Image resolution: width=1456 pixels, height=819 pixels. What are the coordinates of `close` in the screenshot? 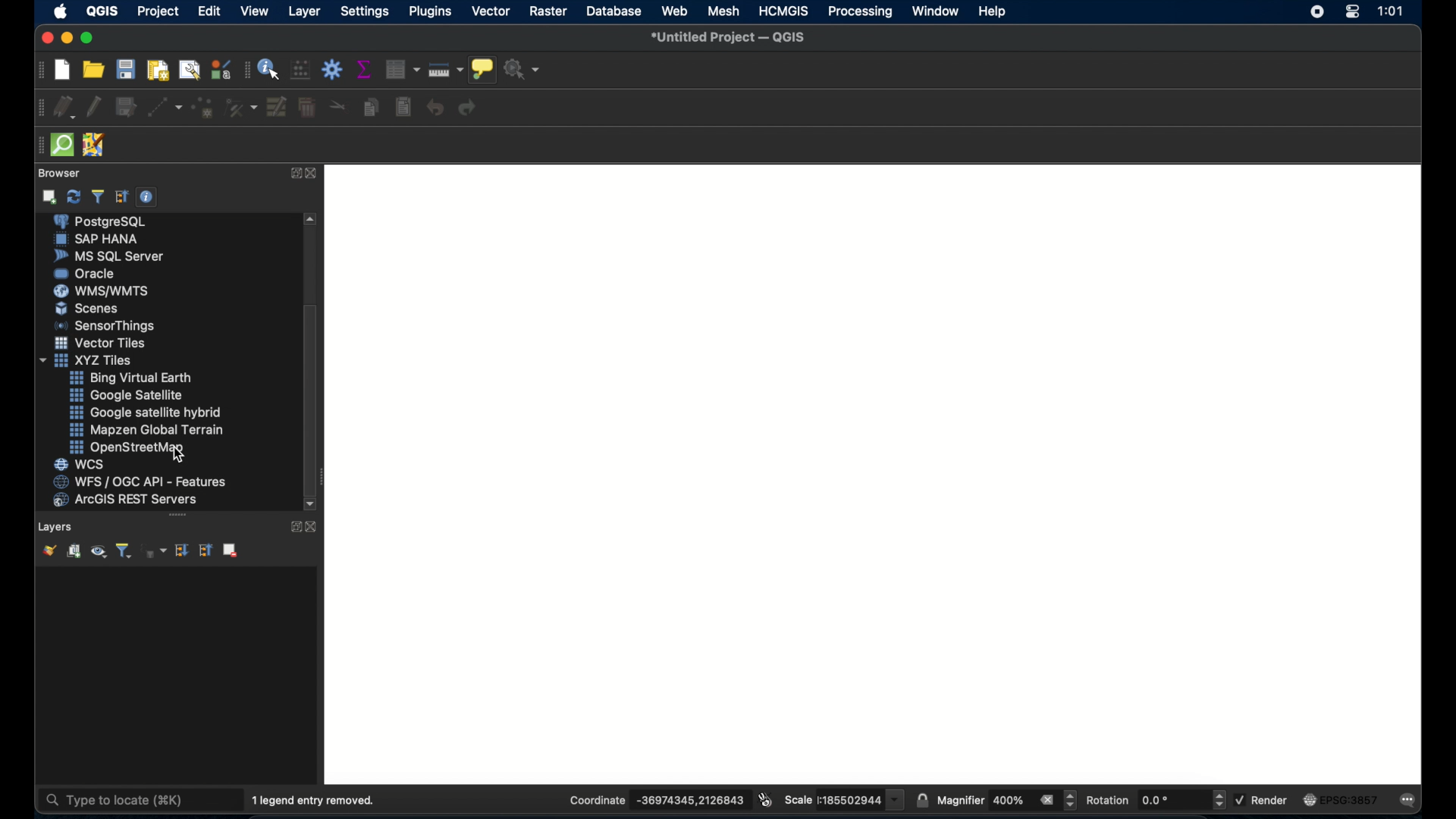 It's located at (45, 38).